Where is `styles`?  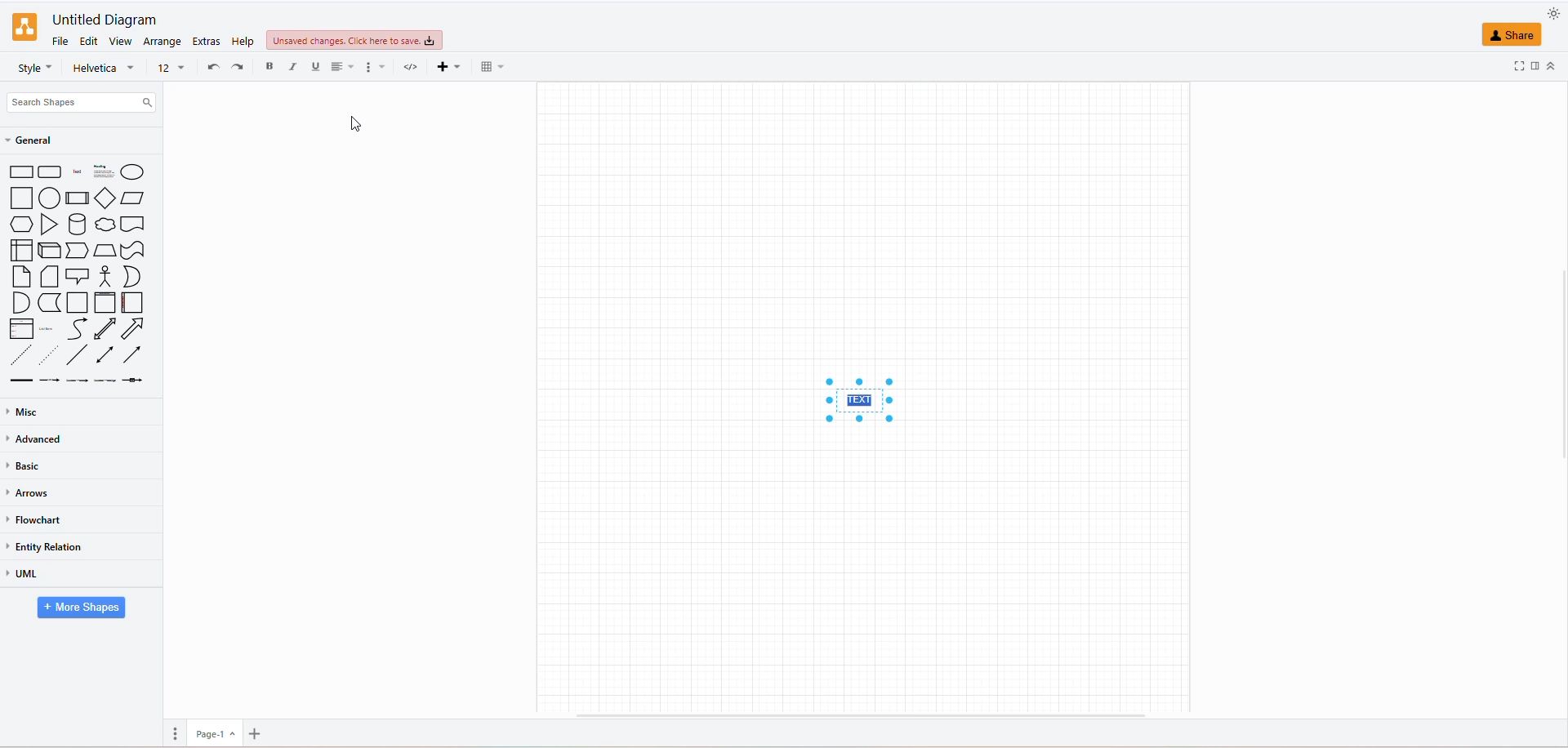
styles is located at coordinates (33, 69).